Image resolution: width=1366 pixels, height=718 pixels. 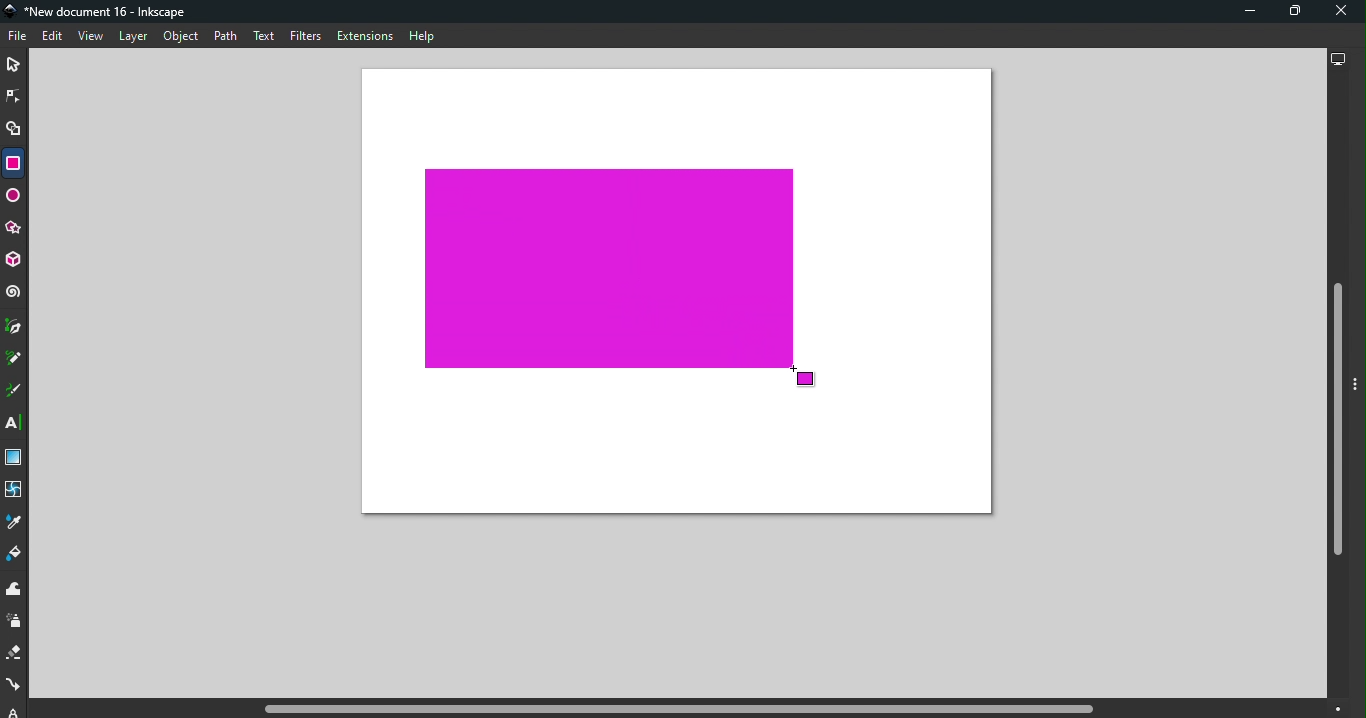 What do you see at coordinates (13, 66) in the screenshot?
I see `Selector` at bounding box center [13, 66].